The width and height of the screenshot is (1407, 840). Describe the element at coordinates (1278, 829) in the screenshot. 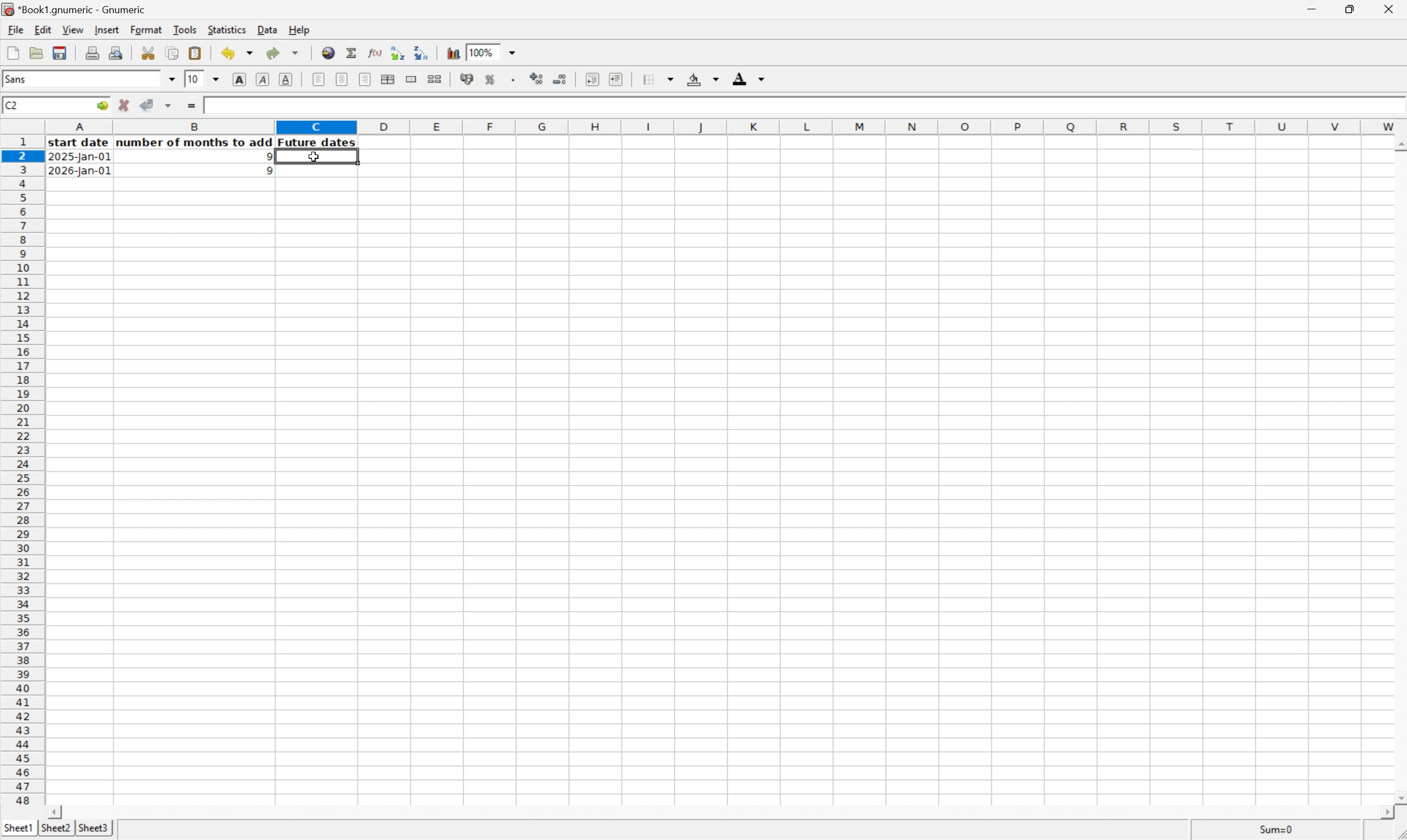

I see `Sum=0` at that location.